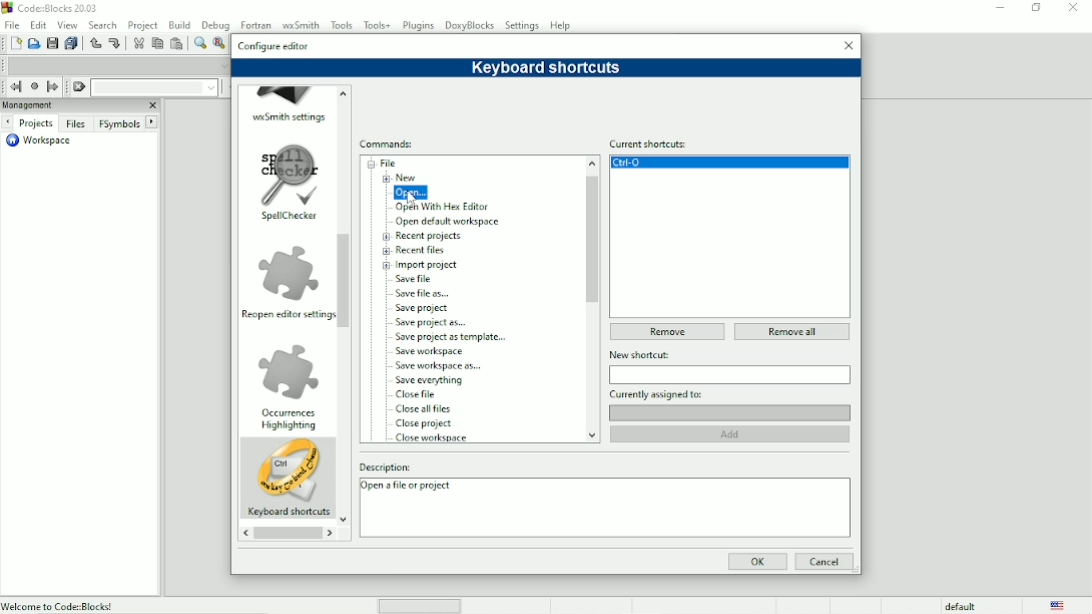 Image resolution: width=1092 pixels, height=614 pixels. I want to click on Save workspace, so click(436, 351).